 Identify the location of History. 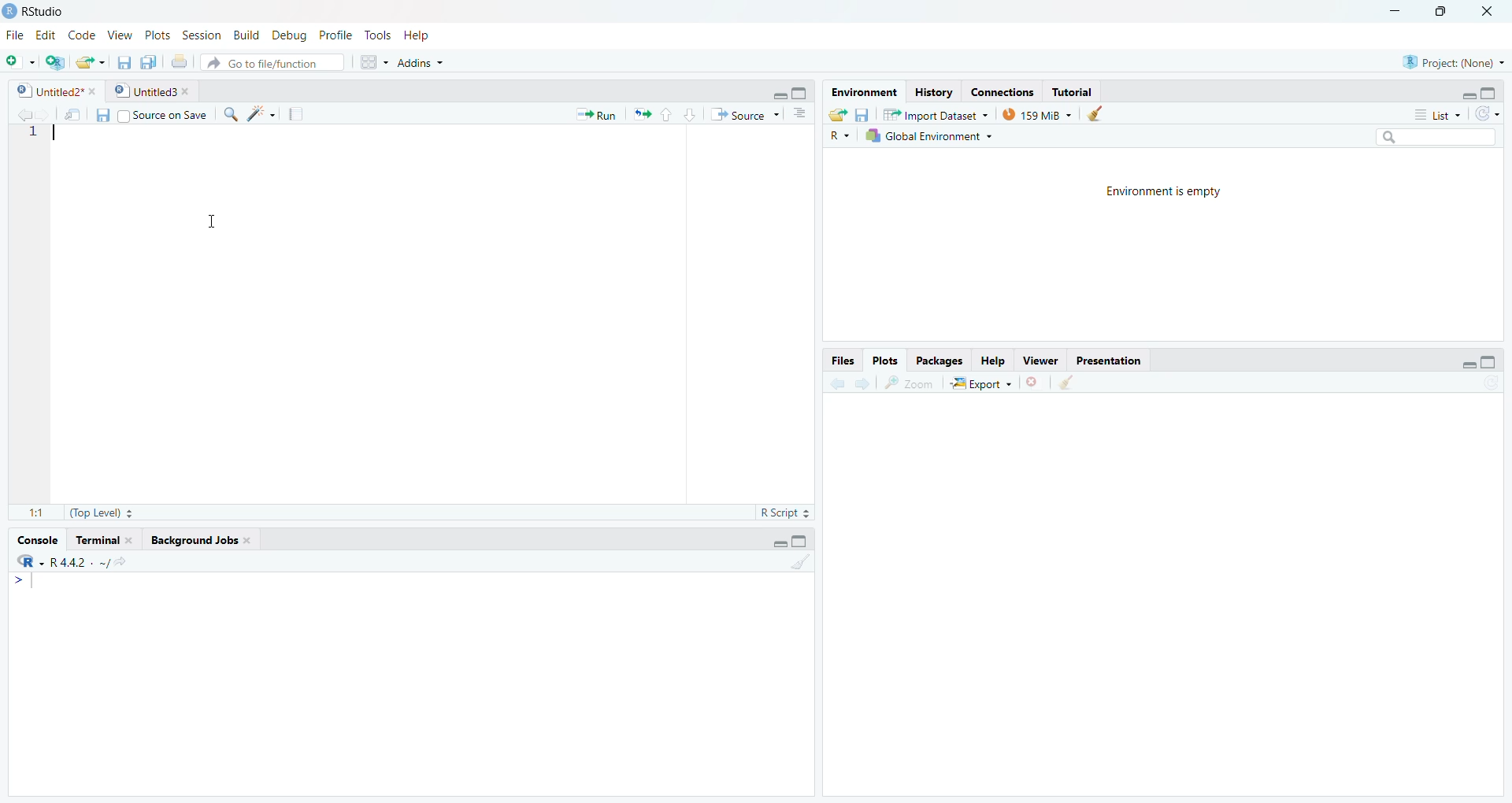
(934, 92).